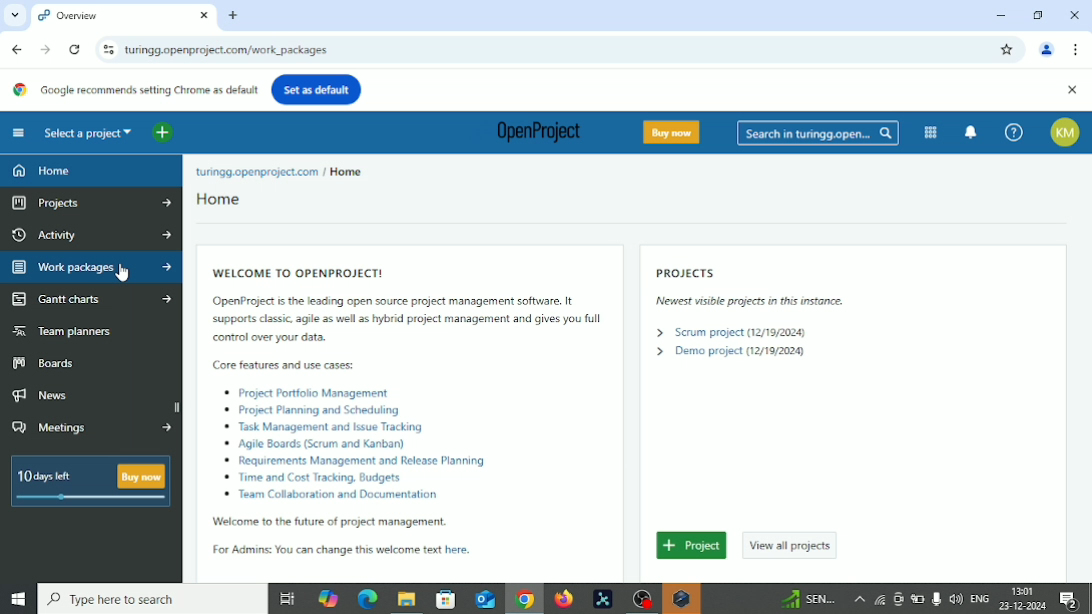  Describe the element at coordinates (405, 601) in the screenshot. I see `File explorer` at that location.